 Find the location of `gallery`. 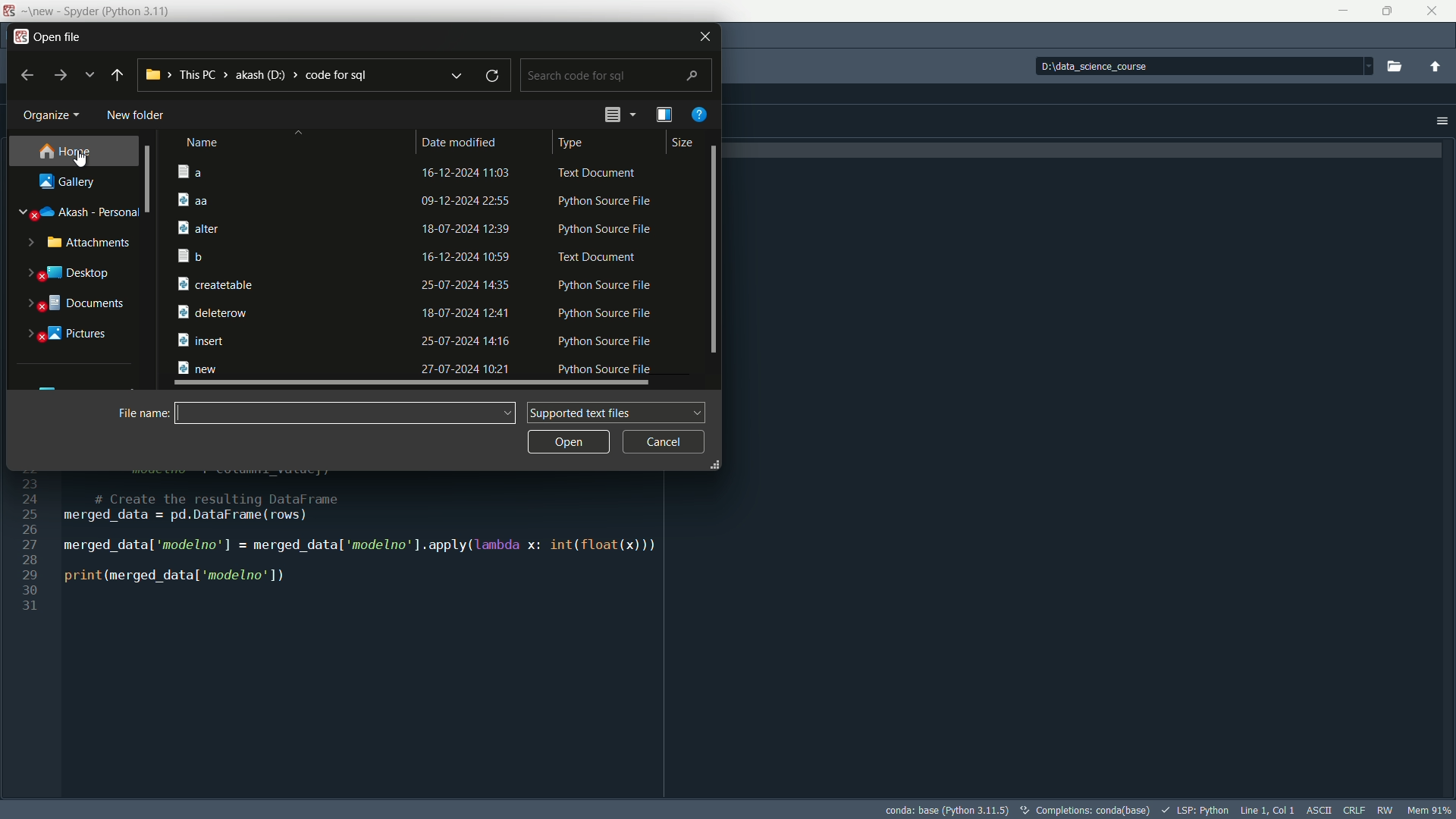

gallery is located at coordinates (70, 181).